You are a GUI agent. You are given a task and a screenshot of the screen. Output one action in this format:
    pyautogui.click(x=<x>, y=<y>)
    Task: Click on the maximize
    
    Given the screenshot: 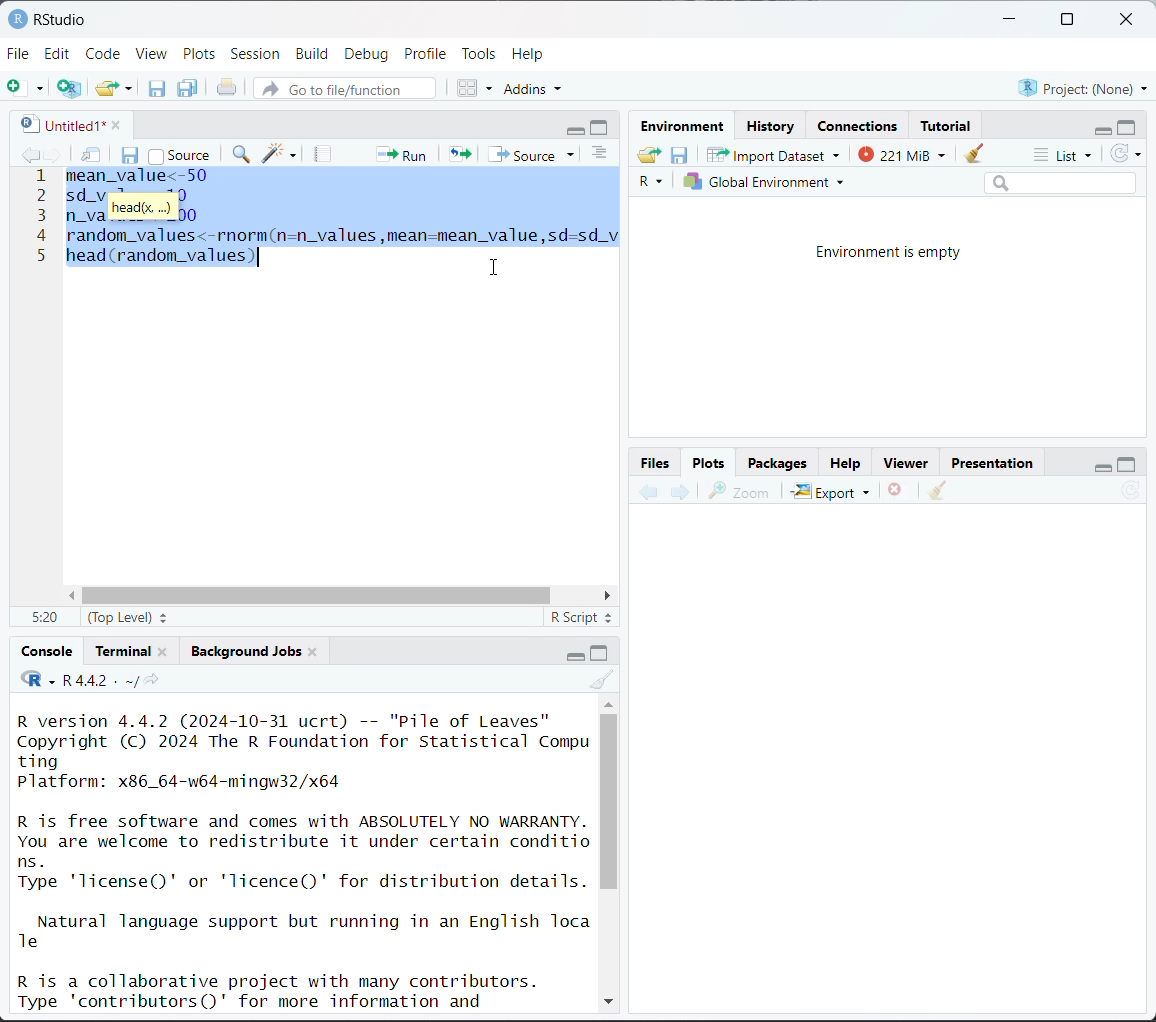 What is the action you would take?
    pyautogui.click(x=1127, y=463)
    